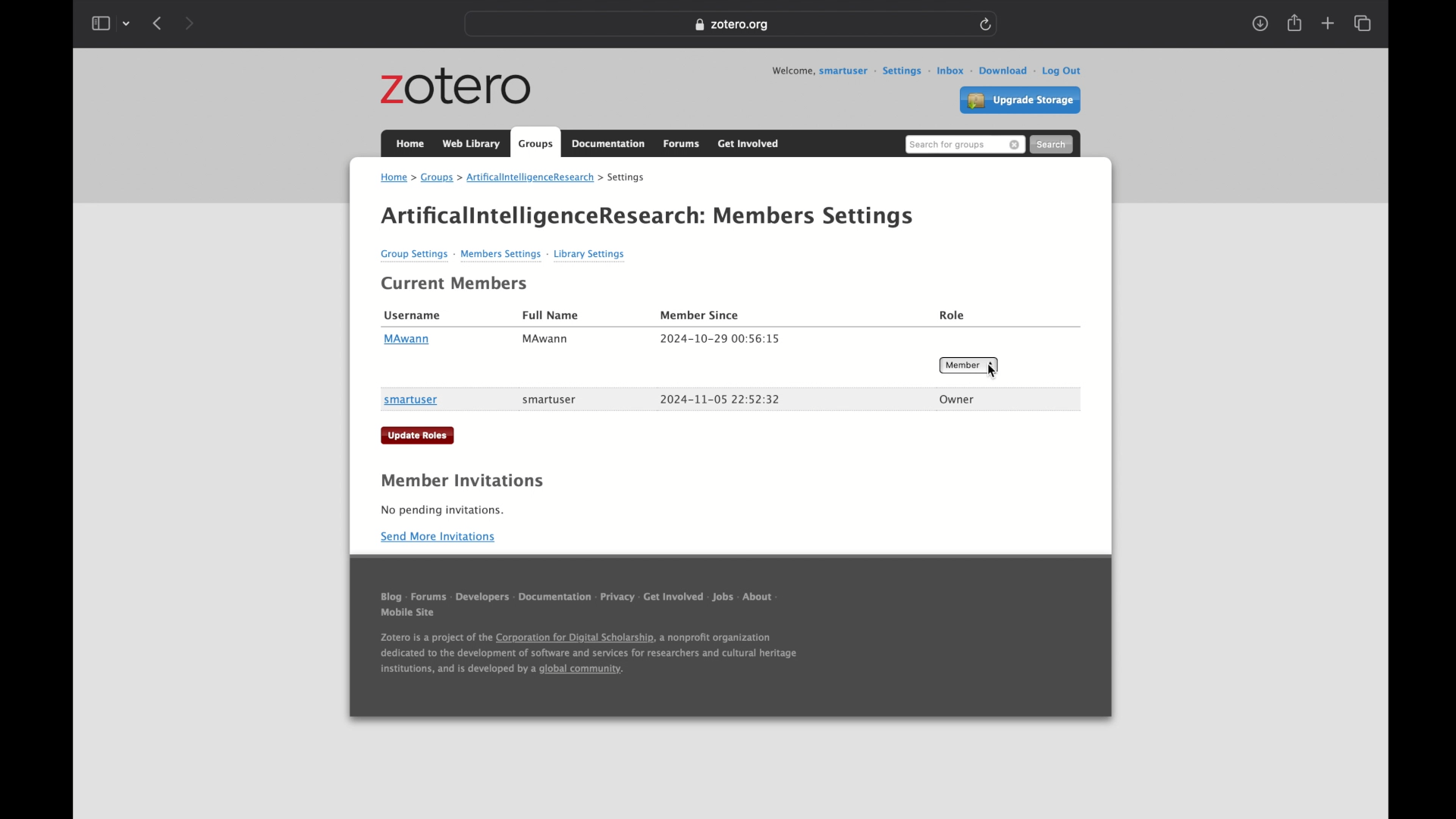  I want to click on current members, so click(455, 284).